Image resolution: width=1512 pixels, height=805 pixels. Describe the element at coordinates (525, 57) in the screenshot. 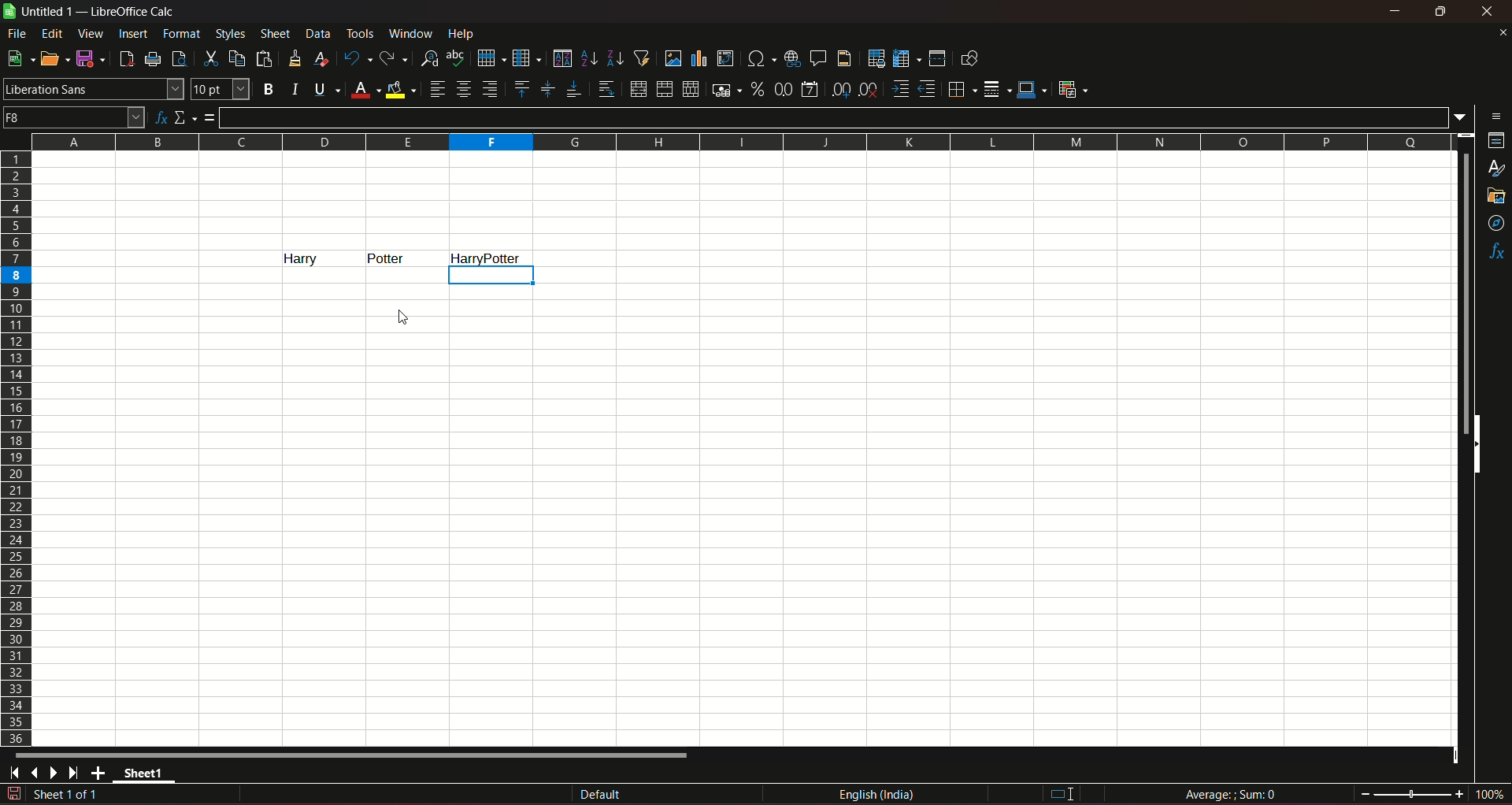

I see `column` at that location.